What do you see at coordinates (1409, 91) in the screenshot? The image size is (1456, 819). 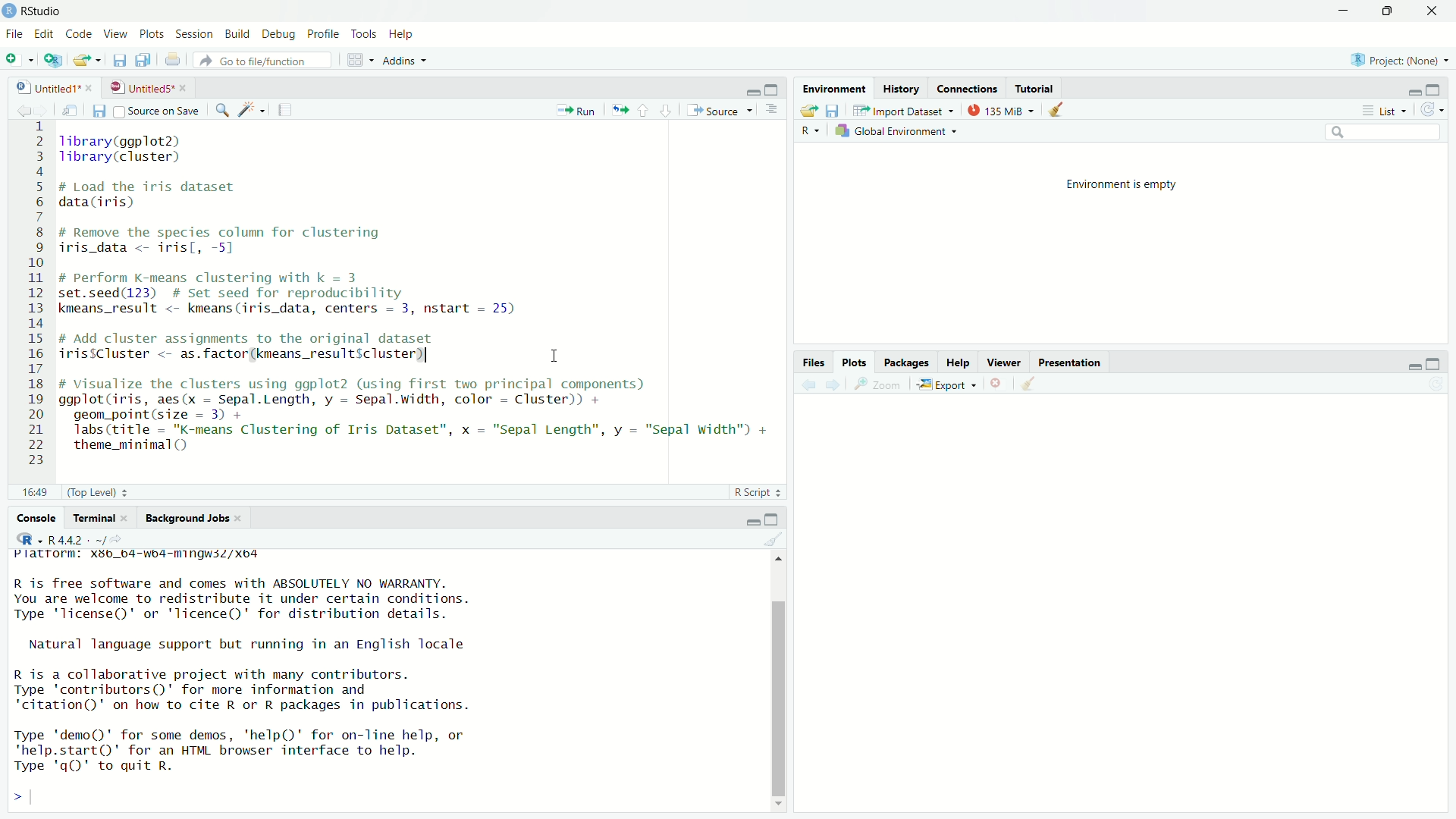 I see `minimize` at bounding box center [1409, 91].